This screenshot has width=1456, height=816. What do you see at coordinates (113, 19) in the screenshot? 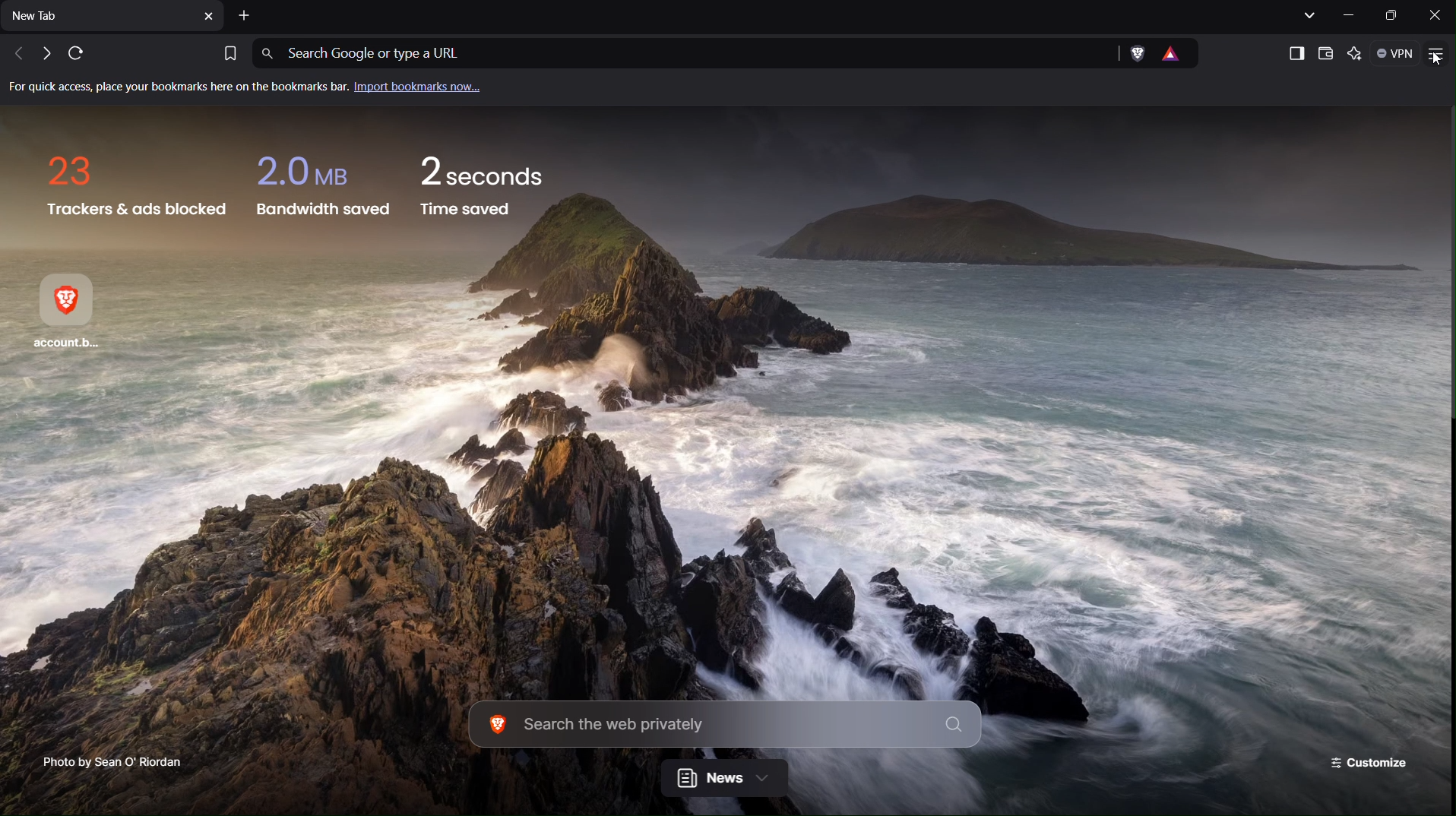
I see `New Tab` at bounding box center [113, 19].